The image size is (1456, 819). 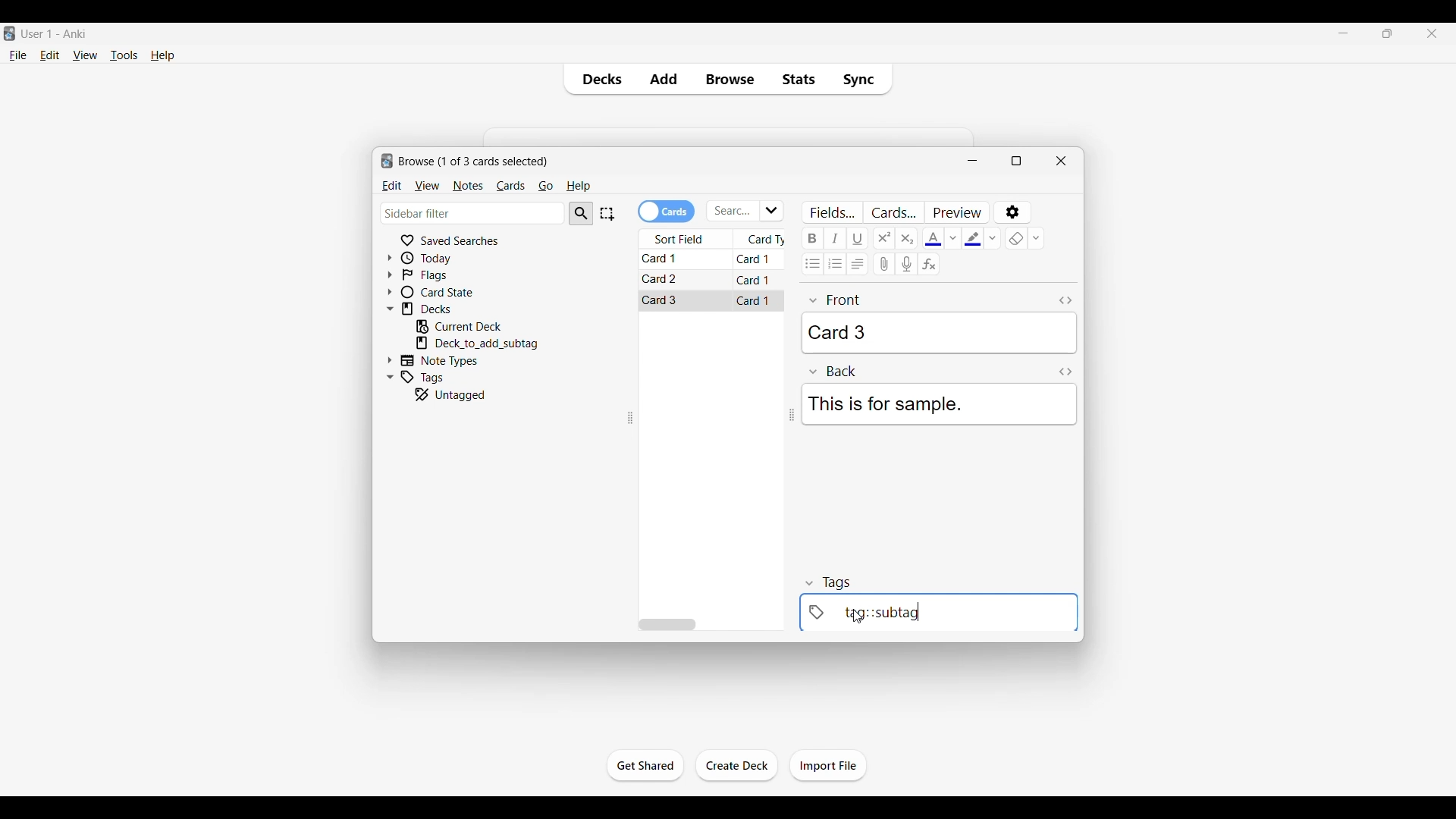 What do you see at coordinates (1036, 238) in the screenshot?
I see `Remove formatting options` at bounding box center [1036, 238].